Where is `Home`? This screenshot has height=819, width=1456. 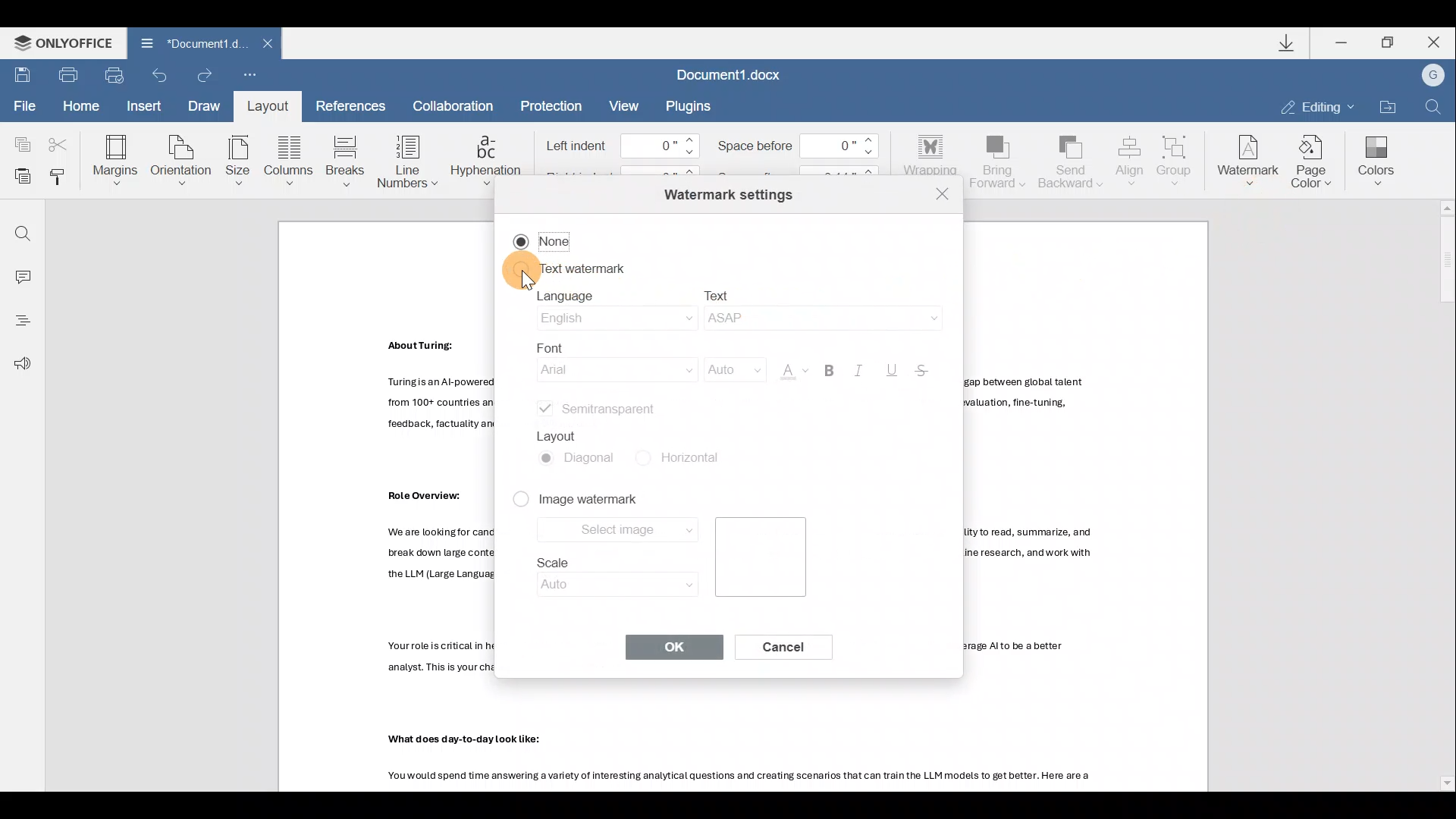
Home is located at coordinates (86, 106).